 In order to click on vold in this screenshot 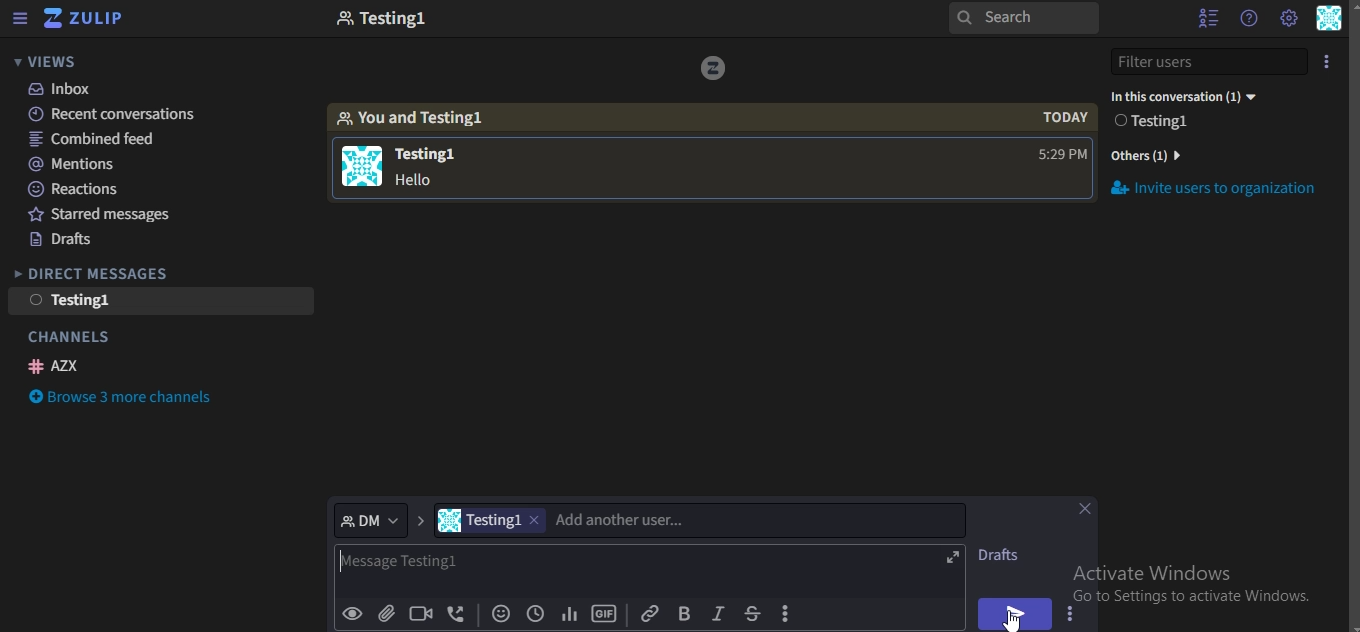, I will do `click(684, 613)`.